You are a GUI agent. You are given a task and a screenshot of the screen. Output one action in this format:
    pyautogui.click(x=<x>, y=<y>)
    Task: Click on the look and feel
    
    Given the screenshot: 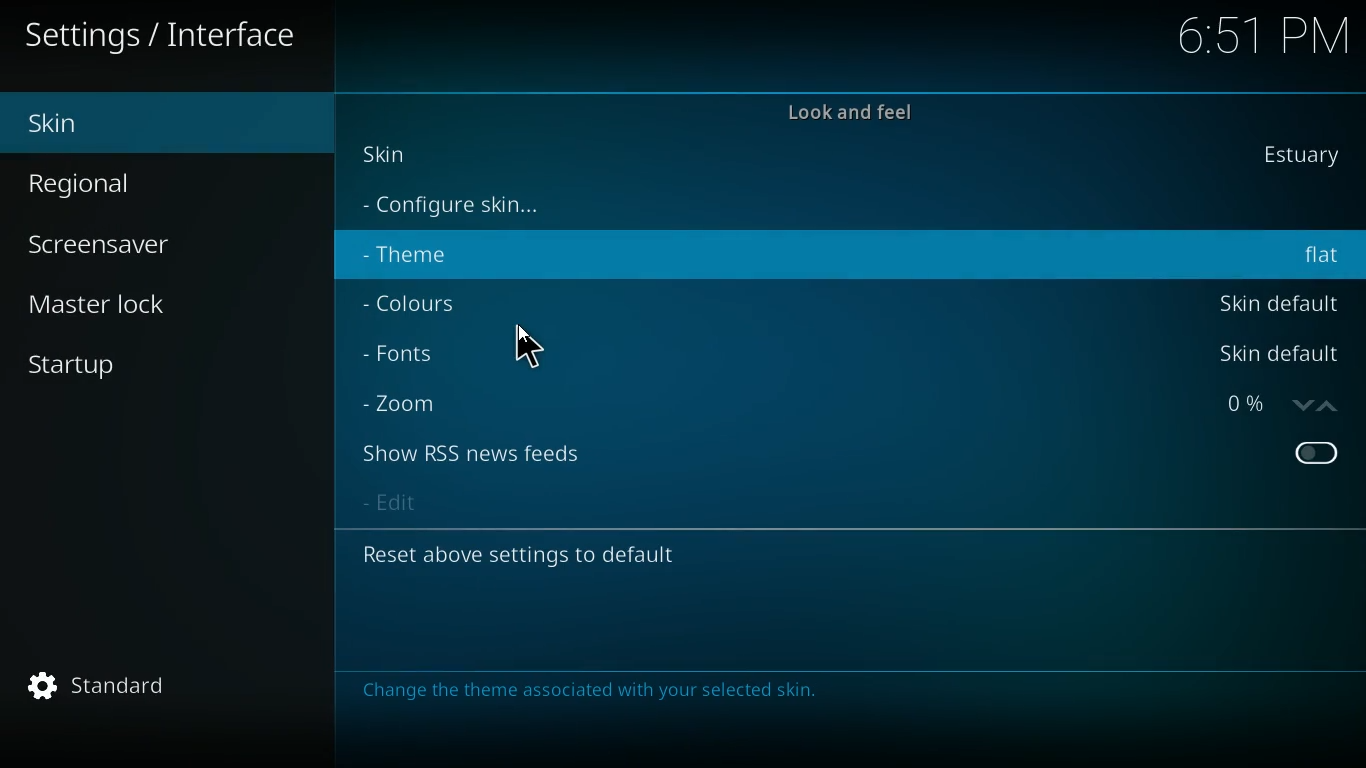 What is the action you would take?
    pyautogui.click(x=848, y=120)
    